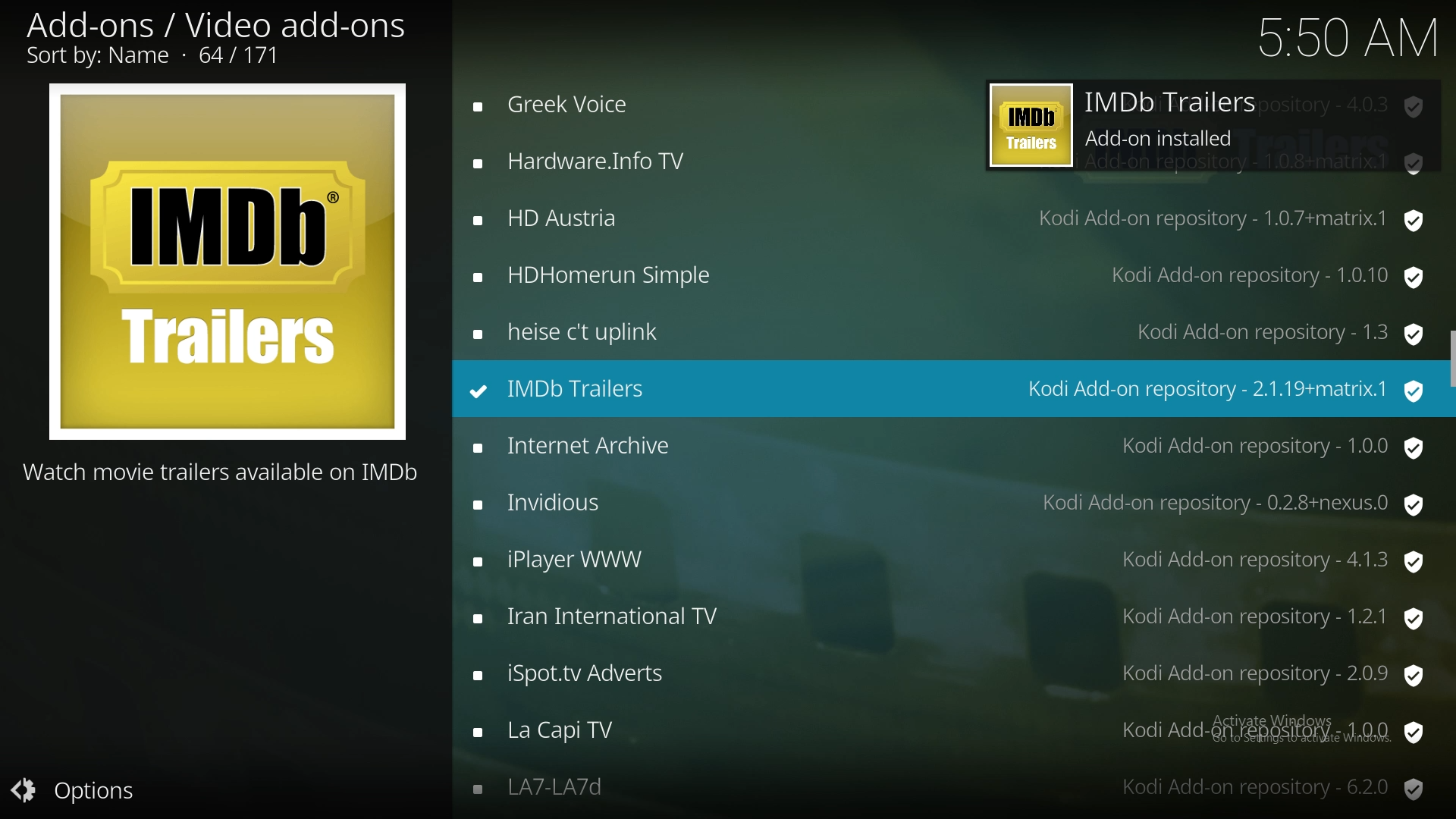 The height and width of the screenshot is (819, 1456). I want to click on add on, so click(948, 621).